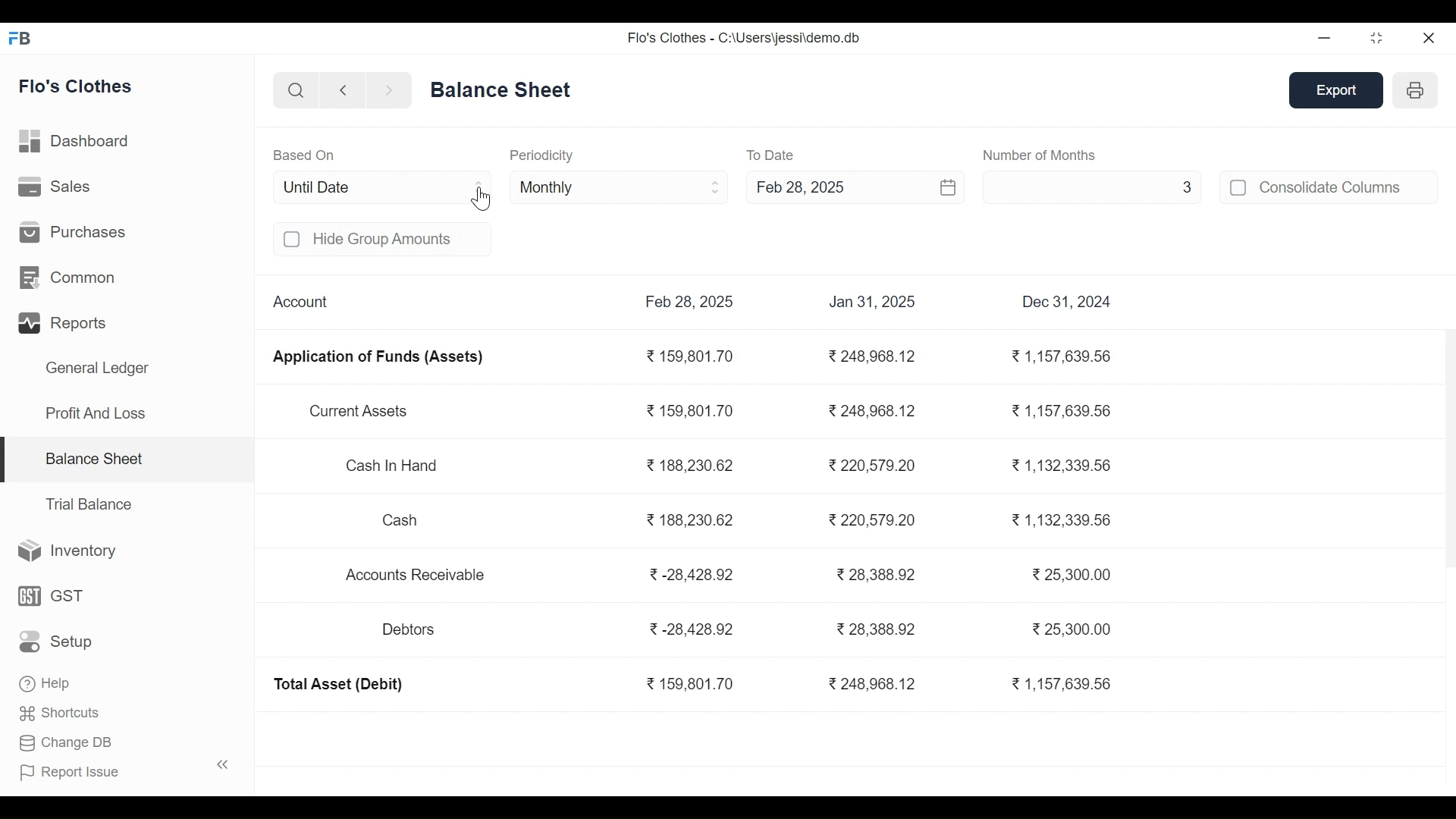 The height and width of the screenshot is (819, 1456). Describe the element at coordinates (1239, 187) in the screenshot. I see `checkbox` at that location.